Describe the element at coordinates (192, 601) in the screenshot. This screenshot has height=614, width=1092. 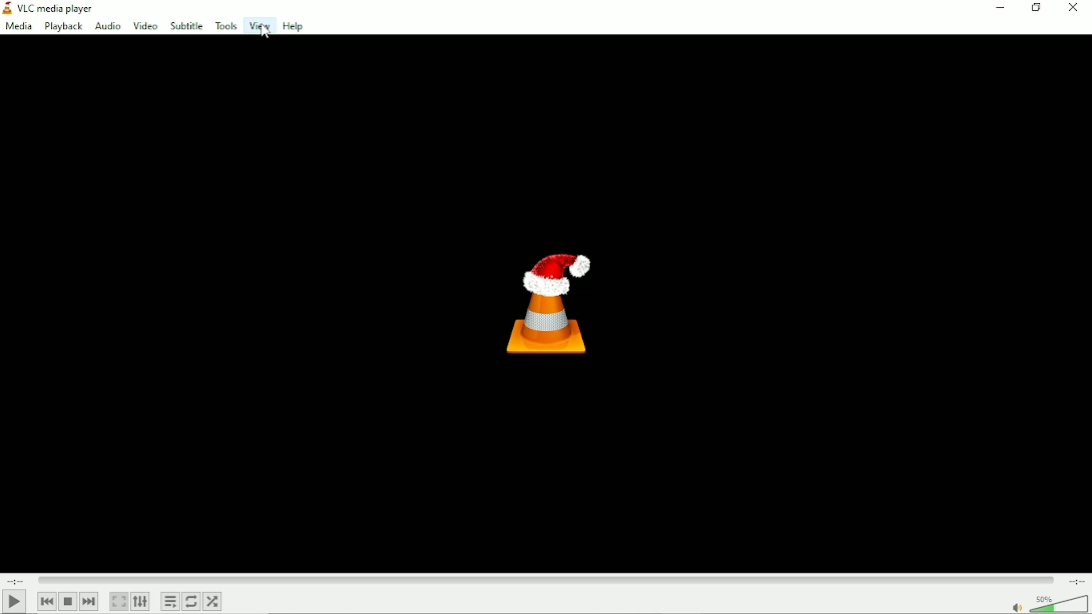
I see `Toggle between loop all, loop one and no loop` at that location.